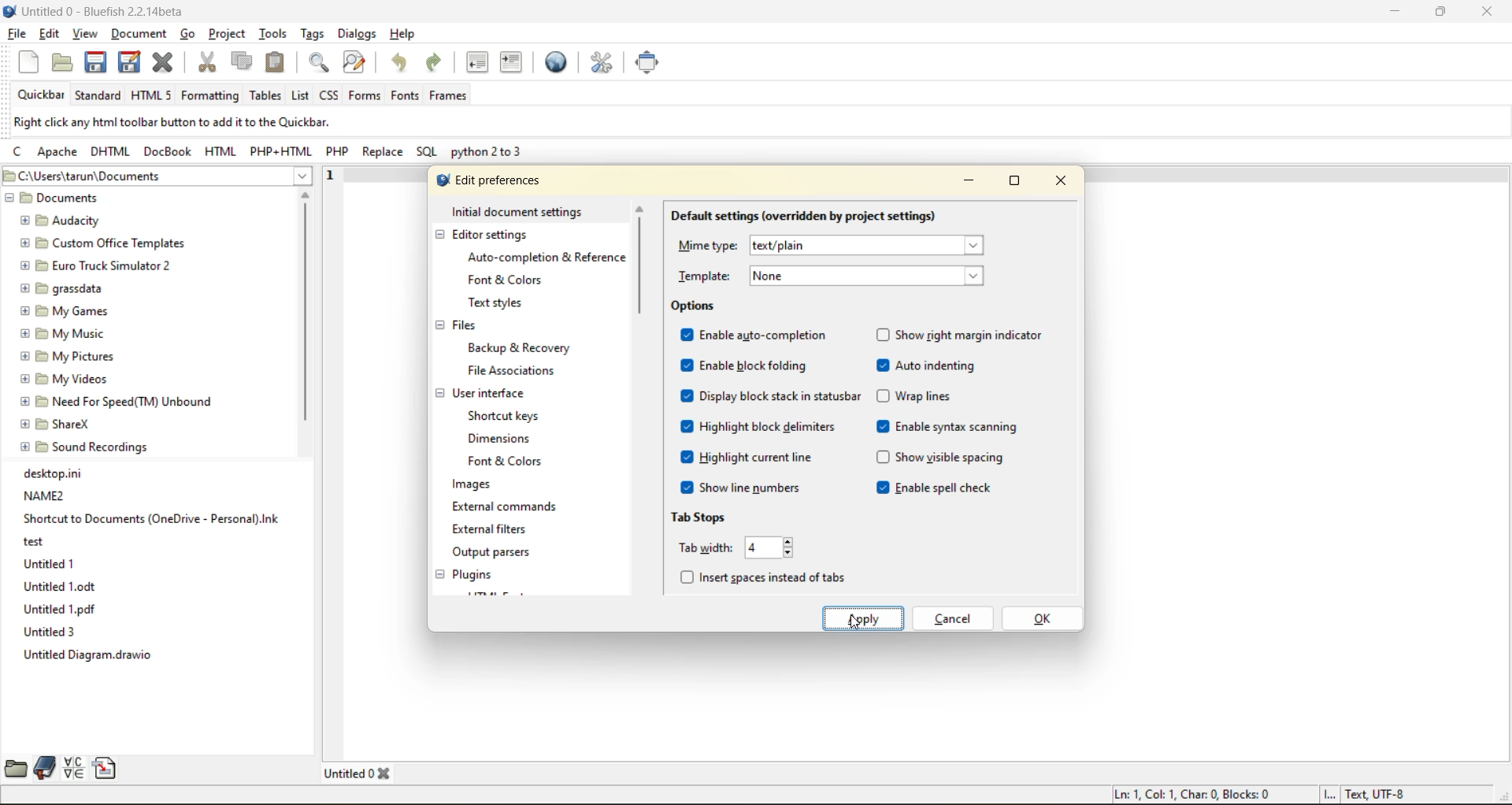 The image size is (1512, 805). What do you see at coordinates (50, 35) in the screenshot?
I see `edit` at bounding box center [50, 35].